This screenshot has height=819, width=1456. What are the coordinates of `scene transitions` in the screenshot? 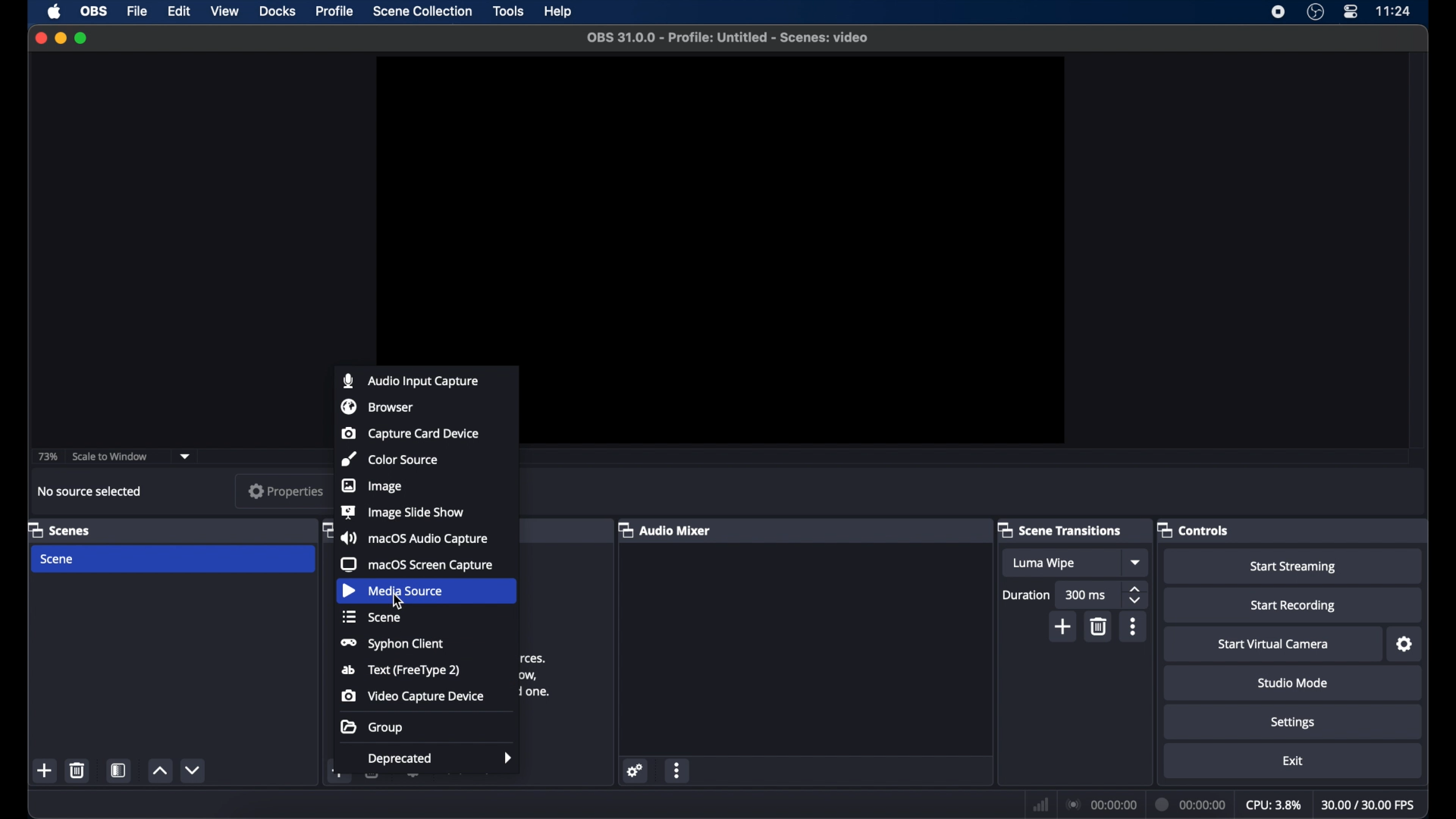 It's located at (1060, 529).